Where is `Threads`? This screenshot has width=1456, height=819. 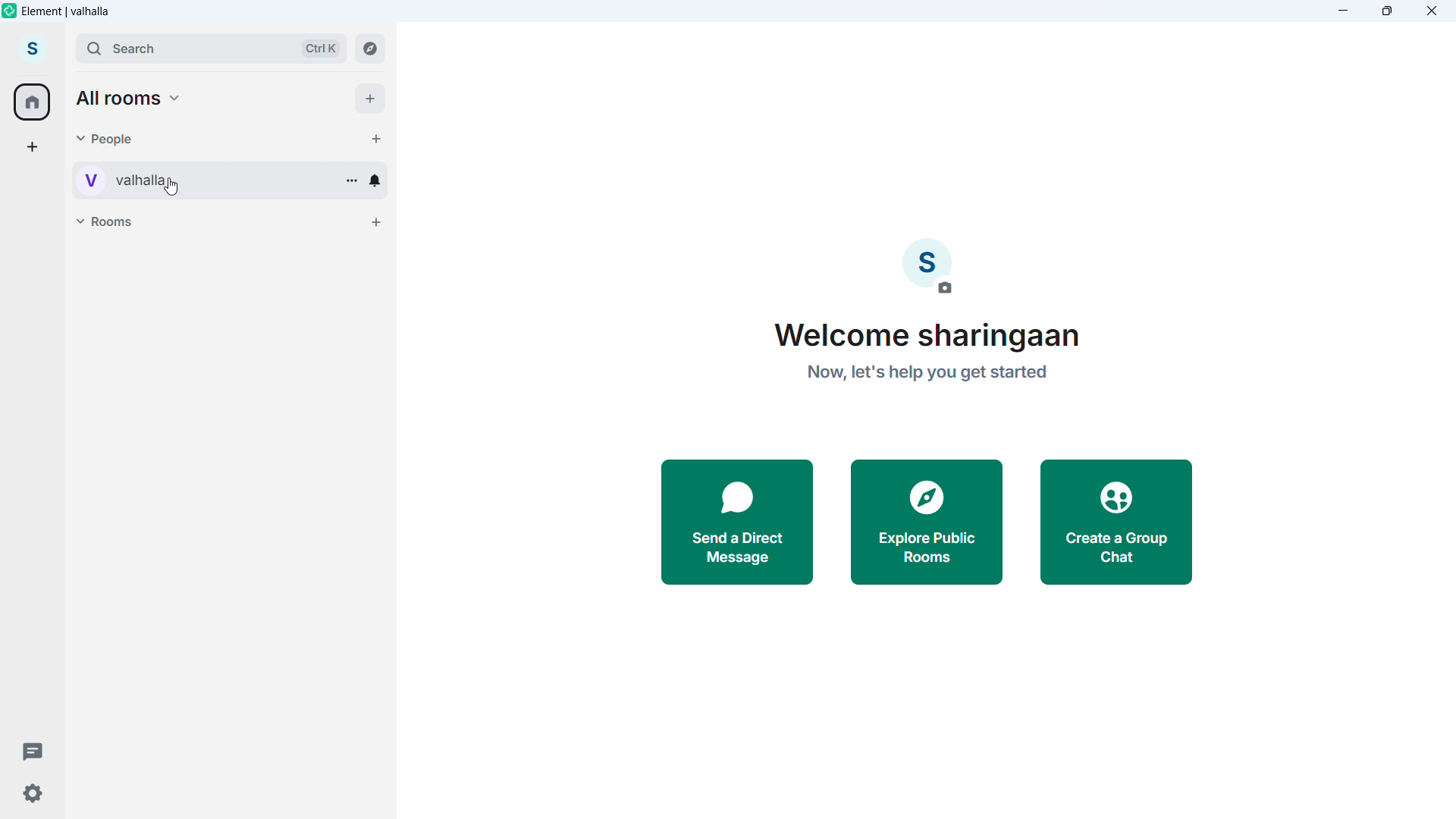
Threads is located at coordinates (32, 749).